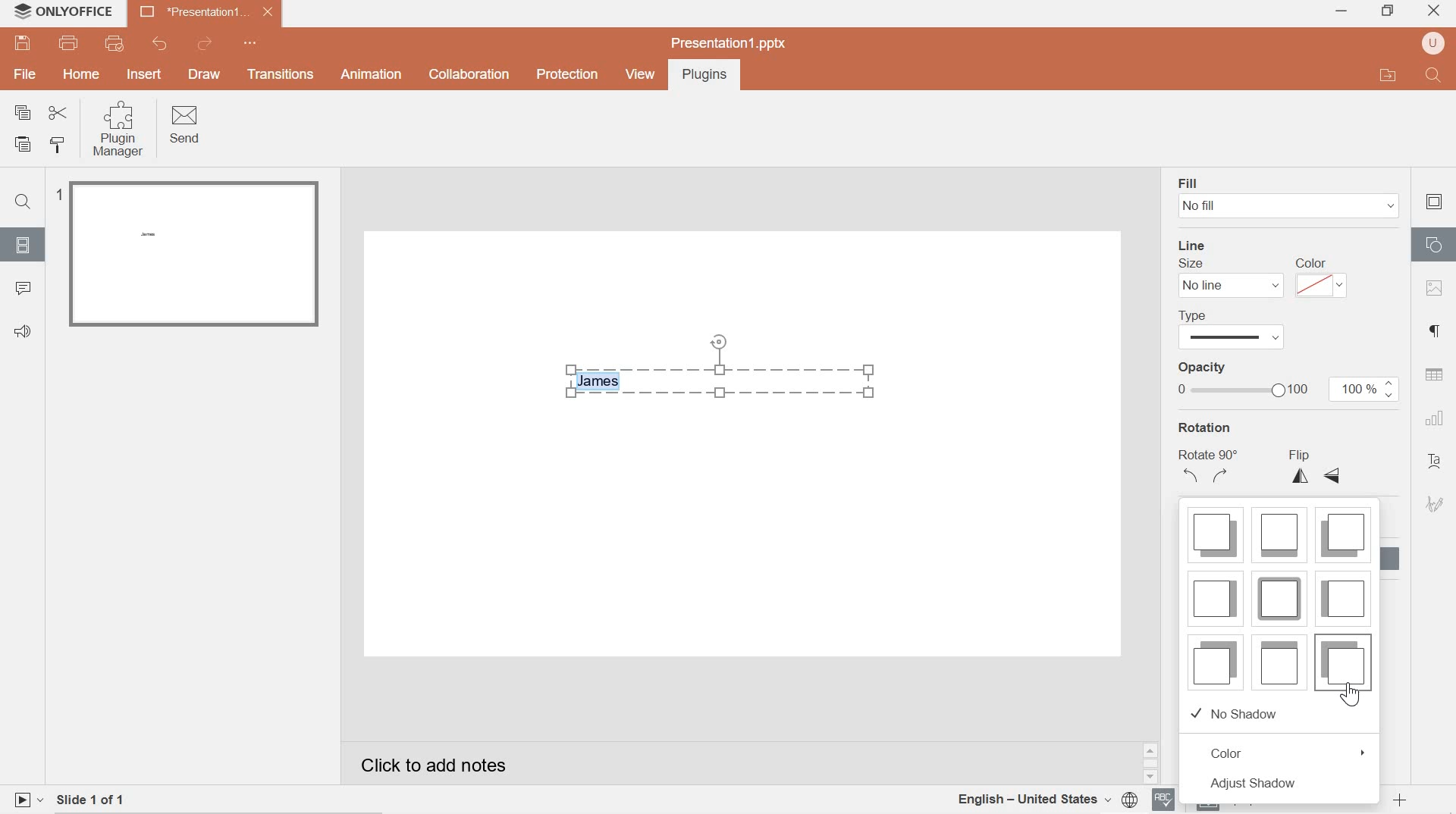  What do you see at coordinates (1191, 264) in the screenshot?
I see `Size` at bounding box center [1191, 264].